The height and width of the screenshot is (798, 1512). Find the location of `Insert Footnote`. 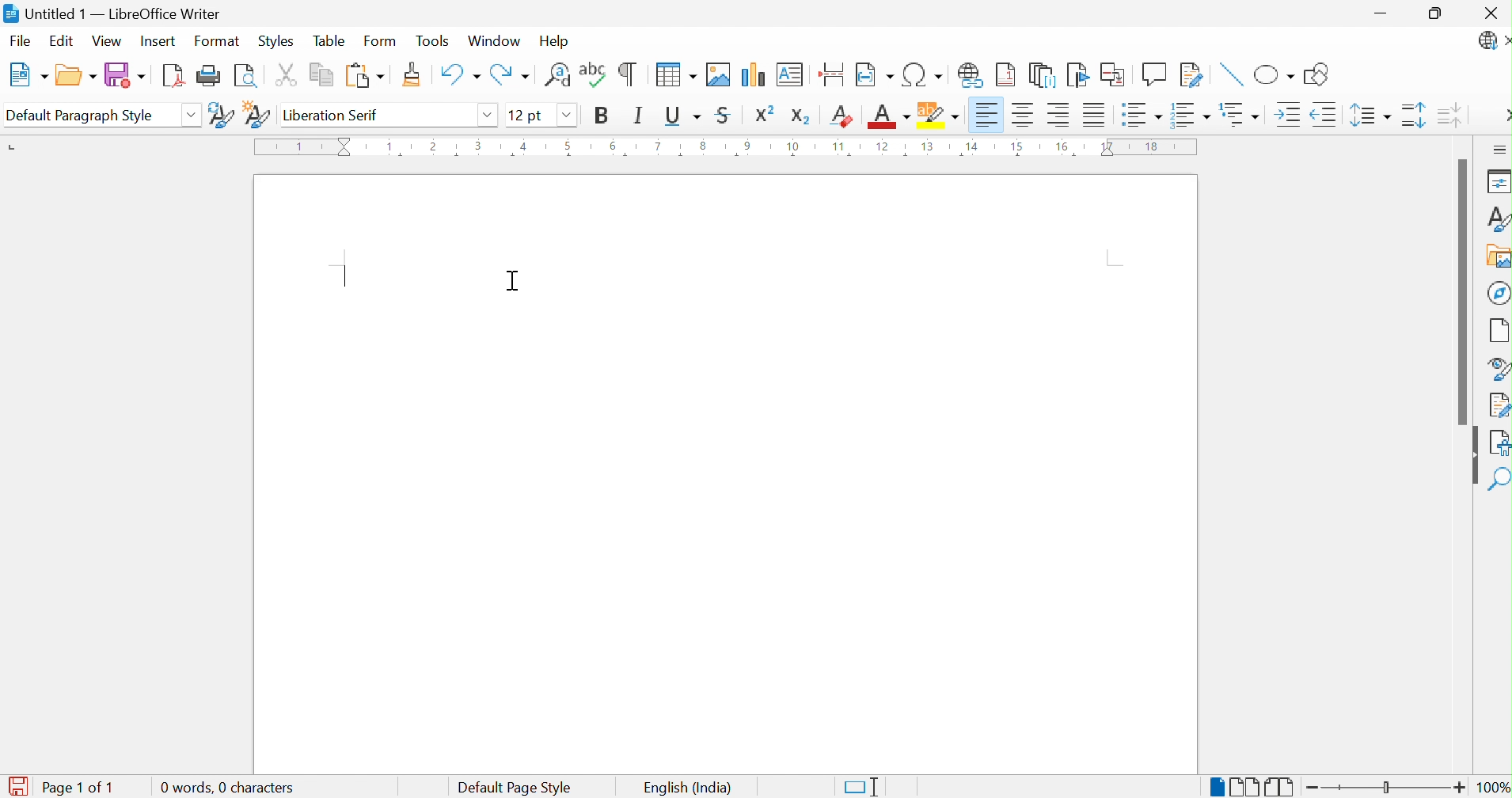

Insert Footnote is located at coordinates (1006, 75).